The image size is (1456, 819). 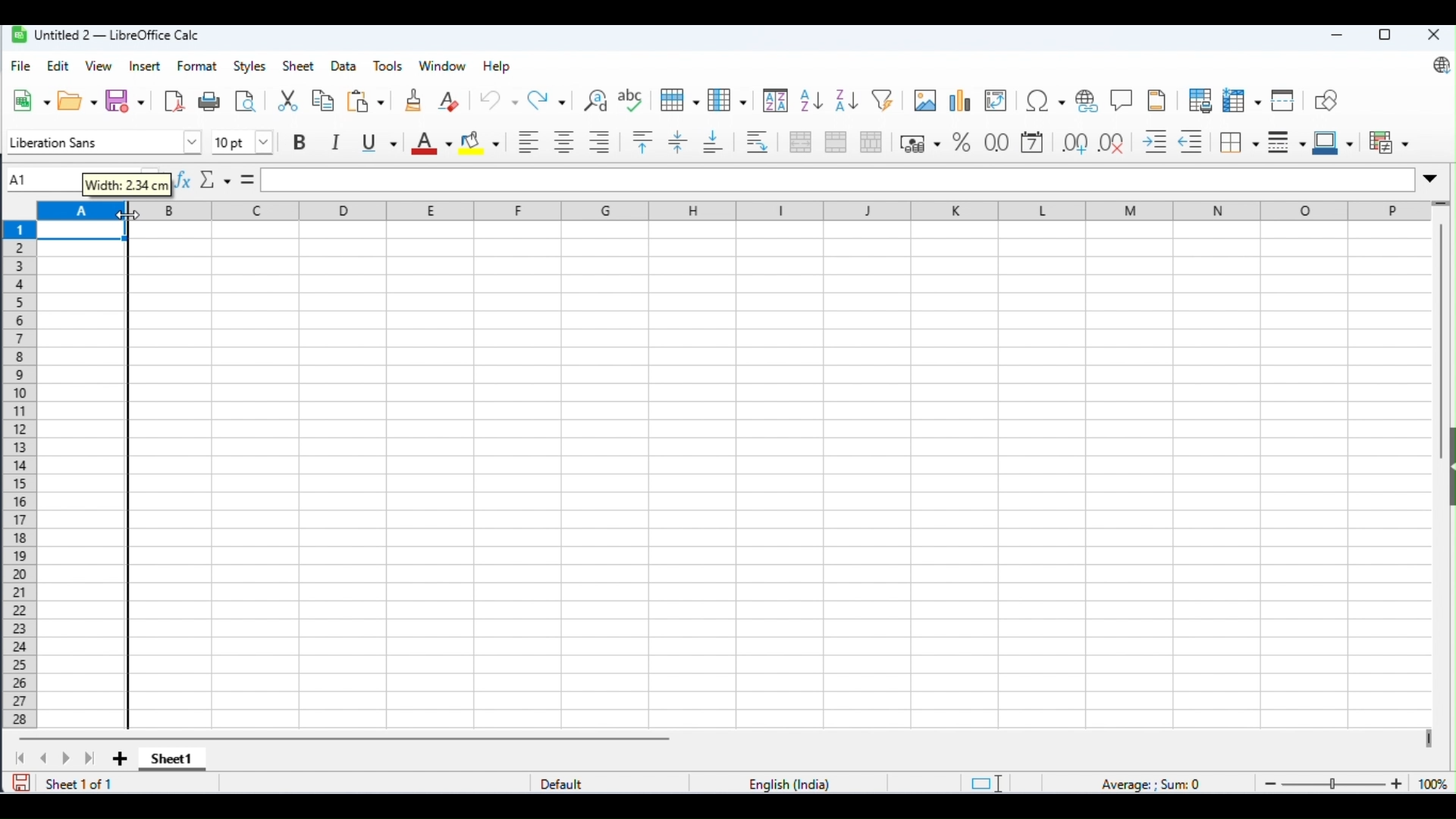 What do you see at coordinates (729, 99) in the screenshot?
I see `column` at bounding box center [729, 99].